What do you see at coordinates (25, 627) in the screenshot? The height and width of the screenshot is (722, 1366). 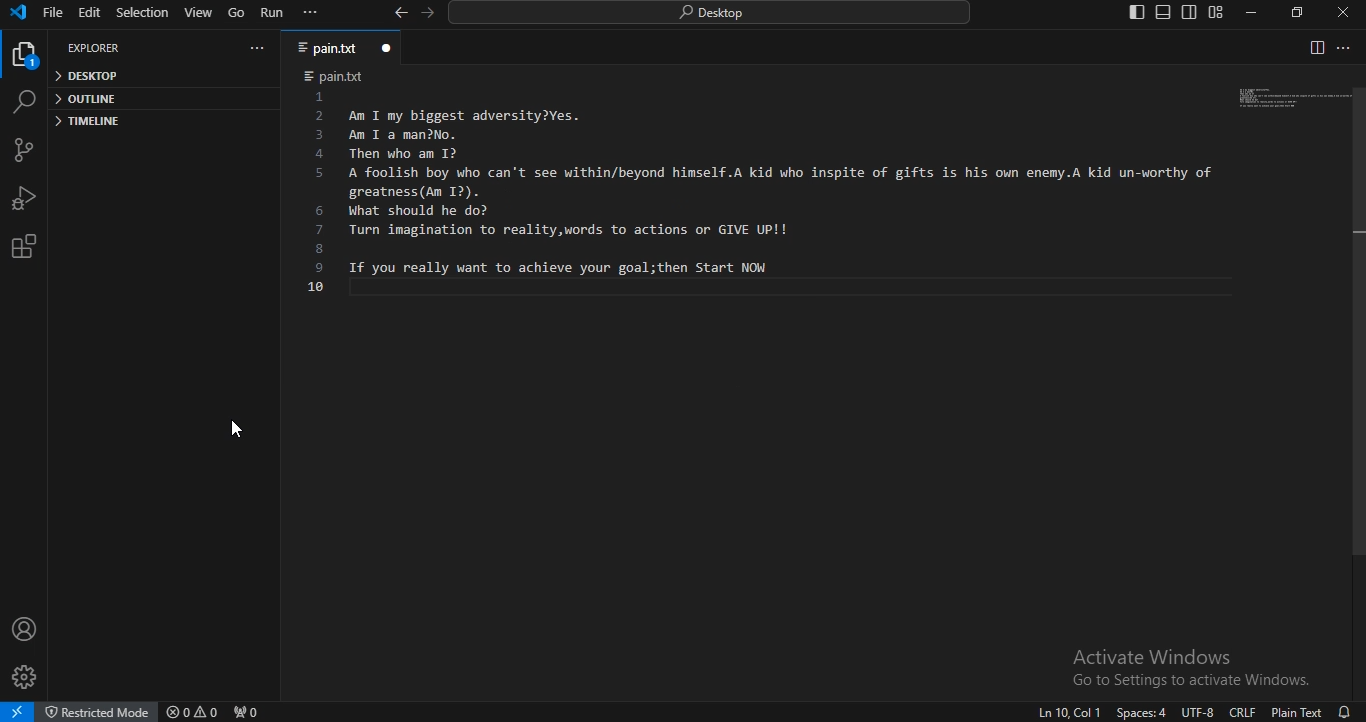 I see `account` at bounding box center [25, 627].